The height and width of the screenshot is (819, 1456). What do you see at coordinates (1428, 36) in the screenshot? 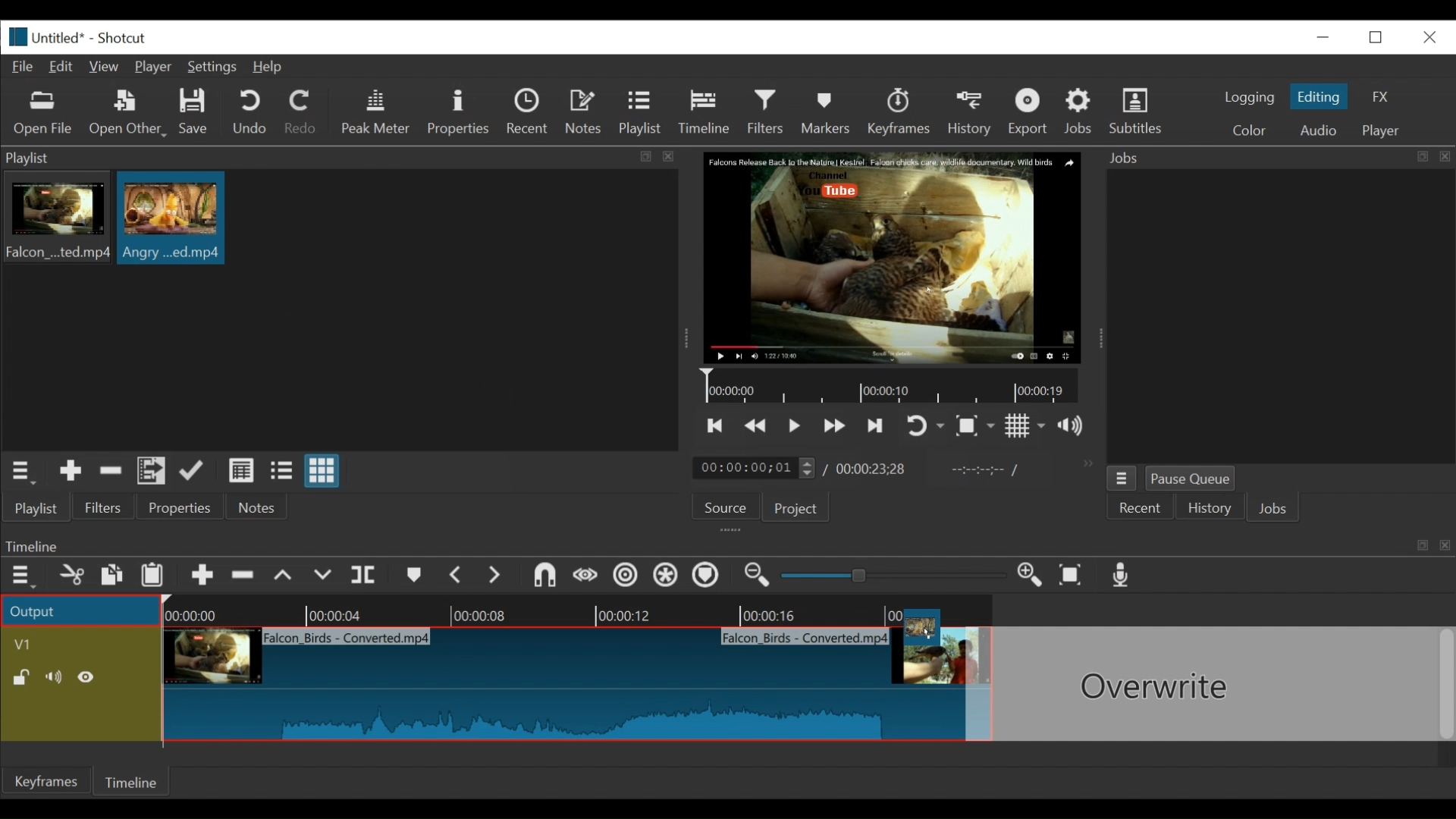
I see `close` at bounding box center [1428, 36].